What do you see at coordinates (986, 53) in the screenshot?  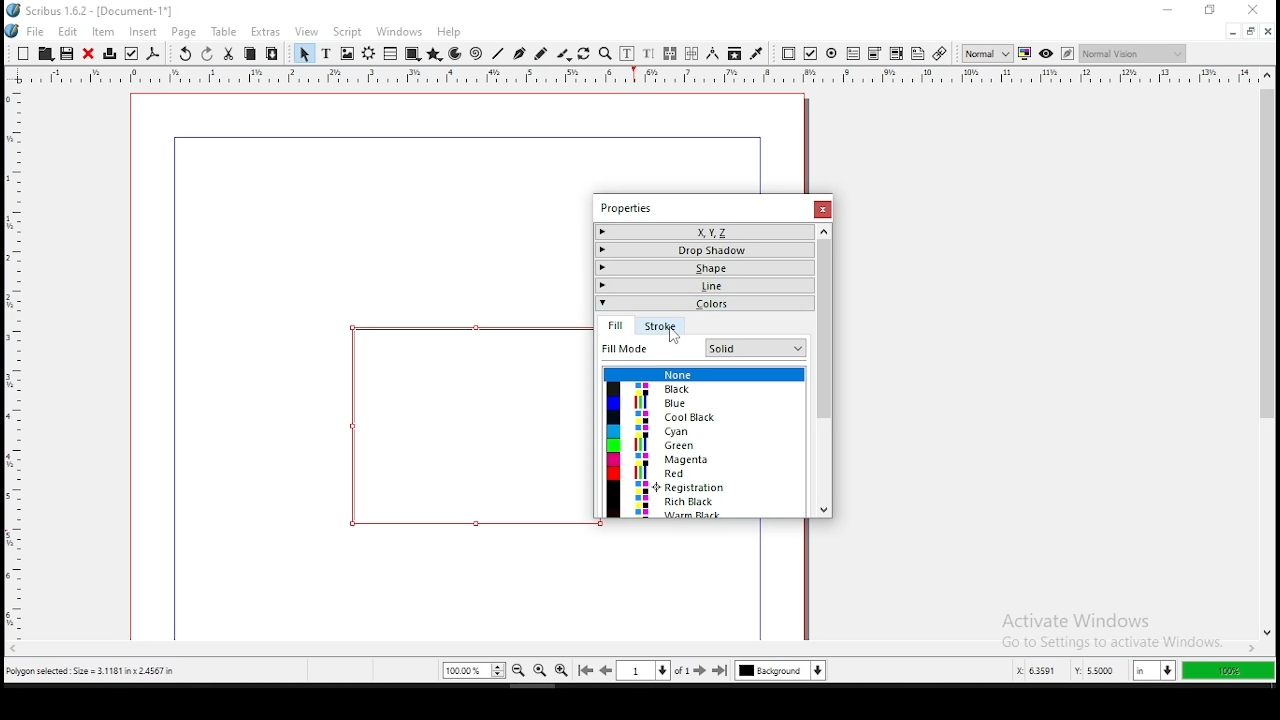 I see `toggle image preview quality` at bounding box center [986, 53].